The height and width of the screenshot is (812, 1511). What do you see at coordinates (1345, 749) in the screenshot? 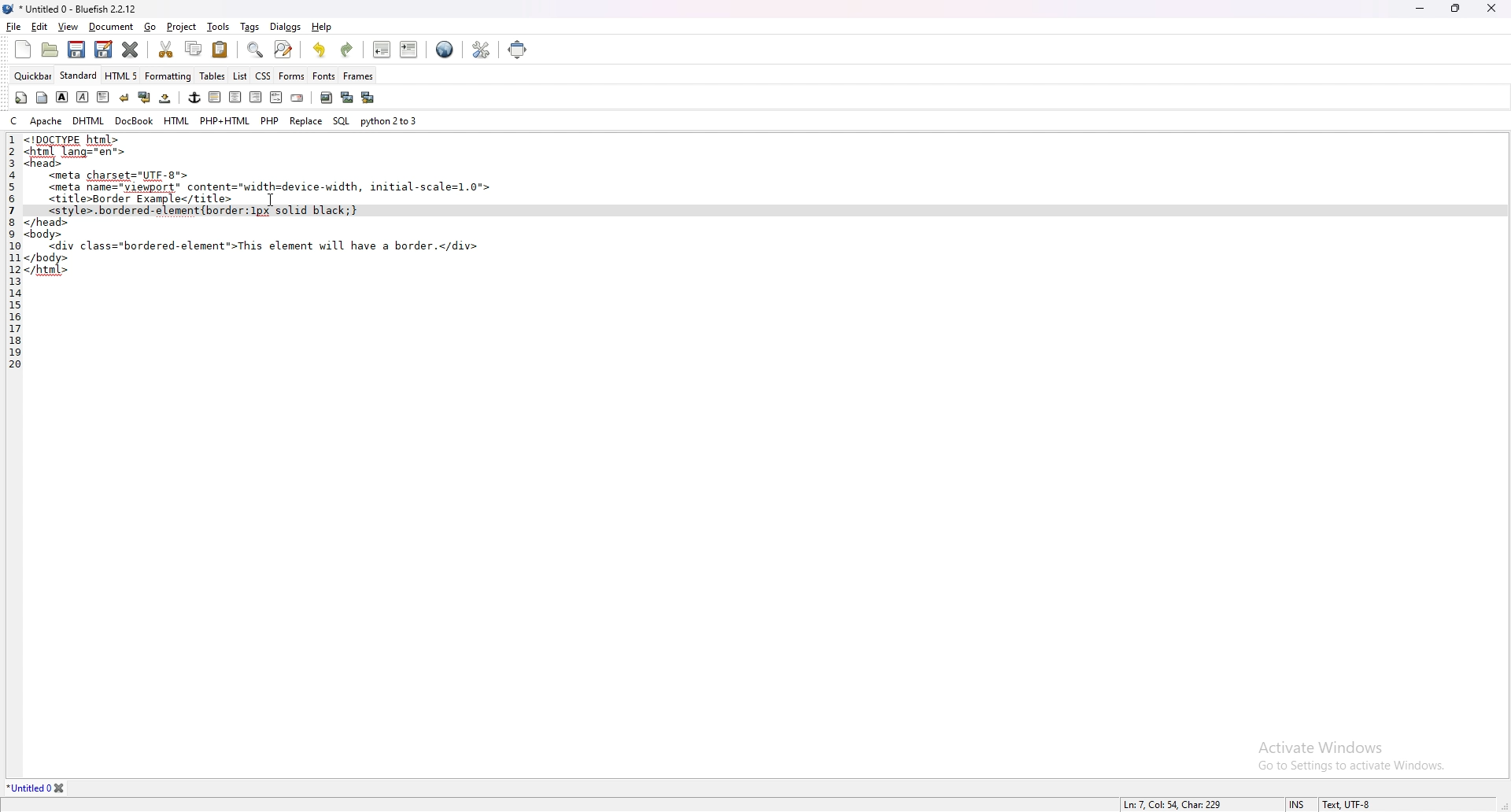
I see `Activate Windows
Go to Settings to activate Windows.` at bounding box center [1345, 749].